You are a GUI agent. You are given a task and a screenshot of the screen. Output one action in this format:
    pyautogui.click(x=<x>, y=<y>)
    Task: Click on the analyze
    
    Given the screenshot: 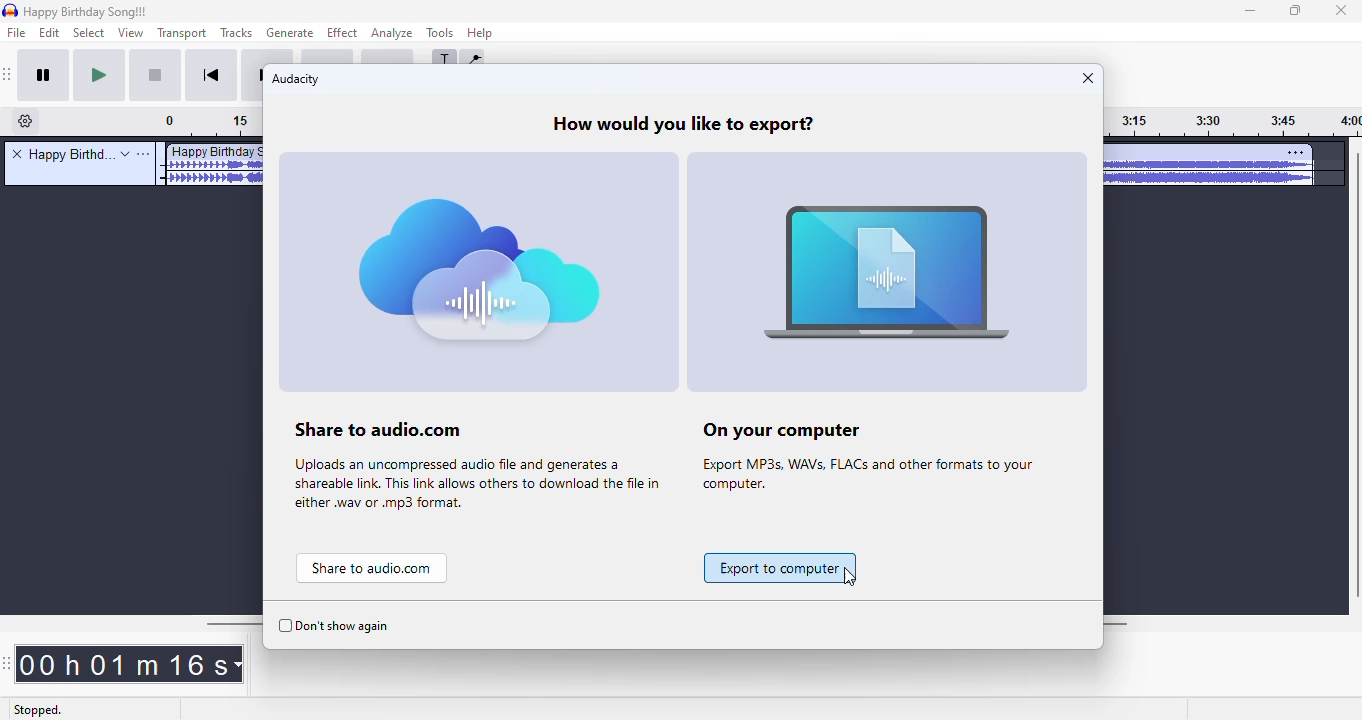 What is the action you would take?
    pyautogui.click(x=392, y=34)
    